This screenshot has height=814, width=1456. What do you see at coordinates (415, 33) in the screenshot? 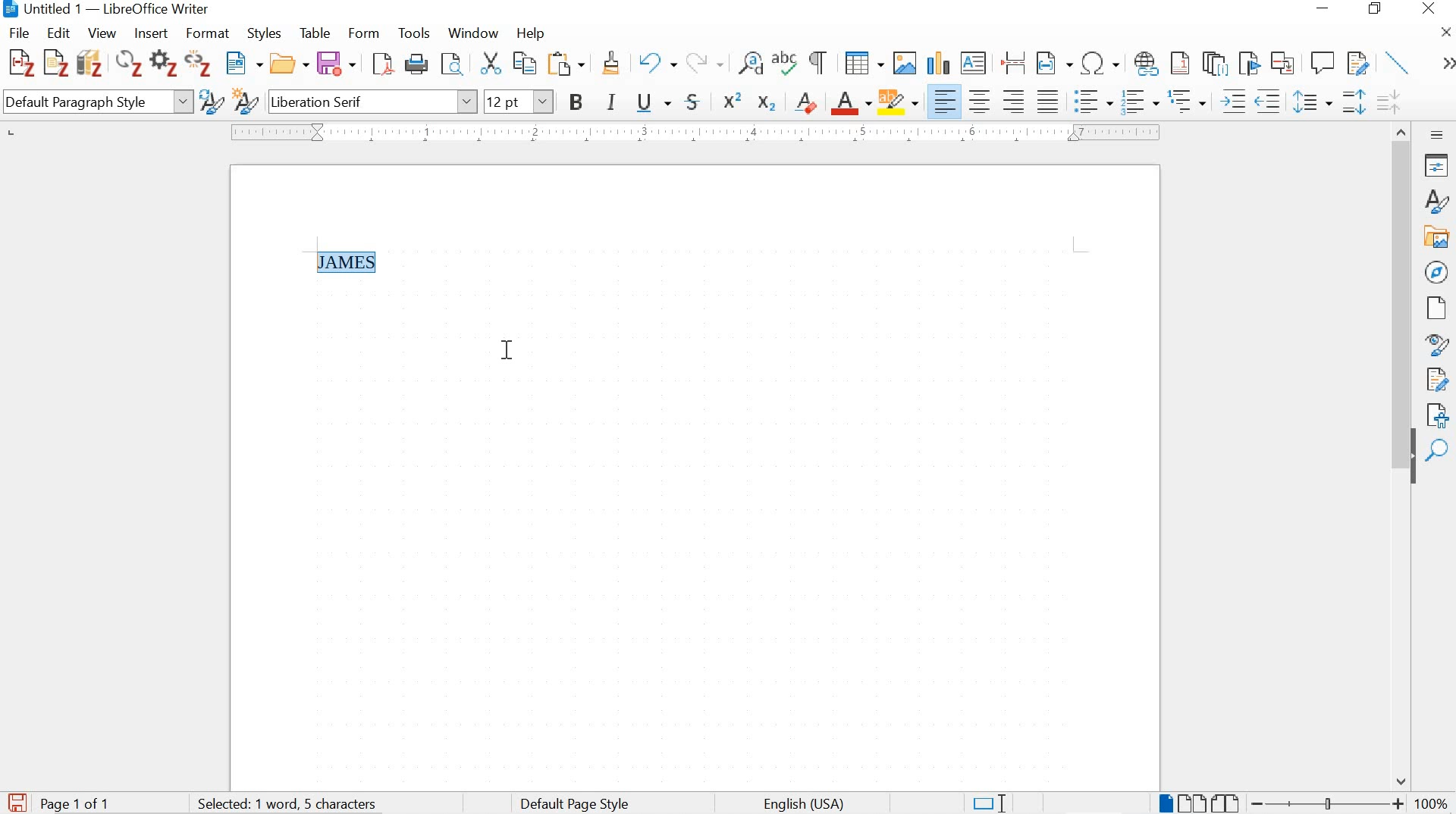
I see `tools` at bounding box center [415, 33].